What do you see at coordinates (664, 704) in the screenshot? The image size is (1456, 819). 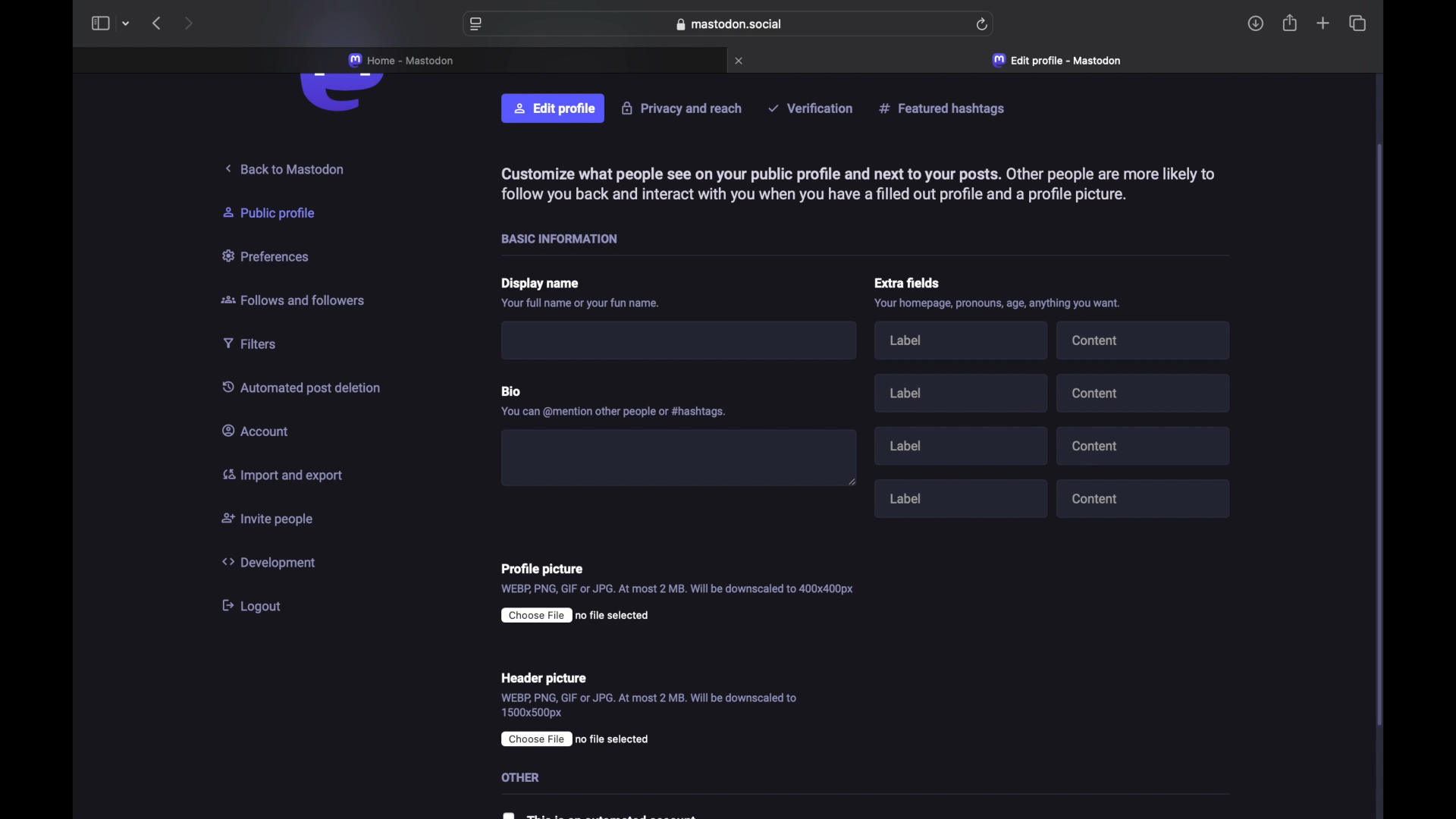 I see `'WEBP, PNG, GIF or JPG. At most 2 MB. Will be downscaled to
1500x500px` at bounding box center [664, 704].